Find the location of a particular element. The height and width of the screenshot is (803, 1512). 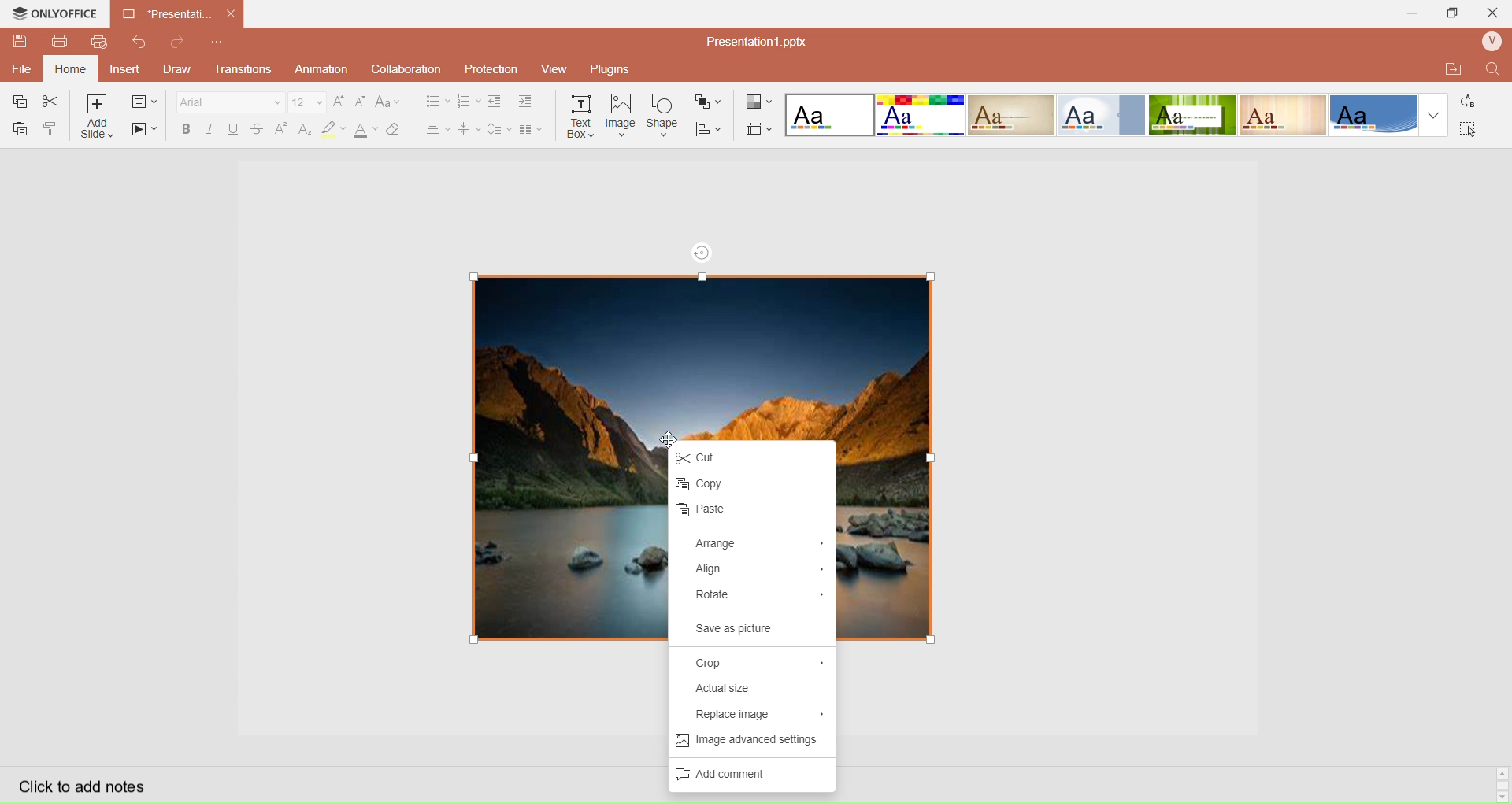

Customize Quick Access Toolbar is located at coordinates (217, 43).